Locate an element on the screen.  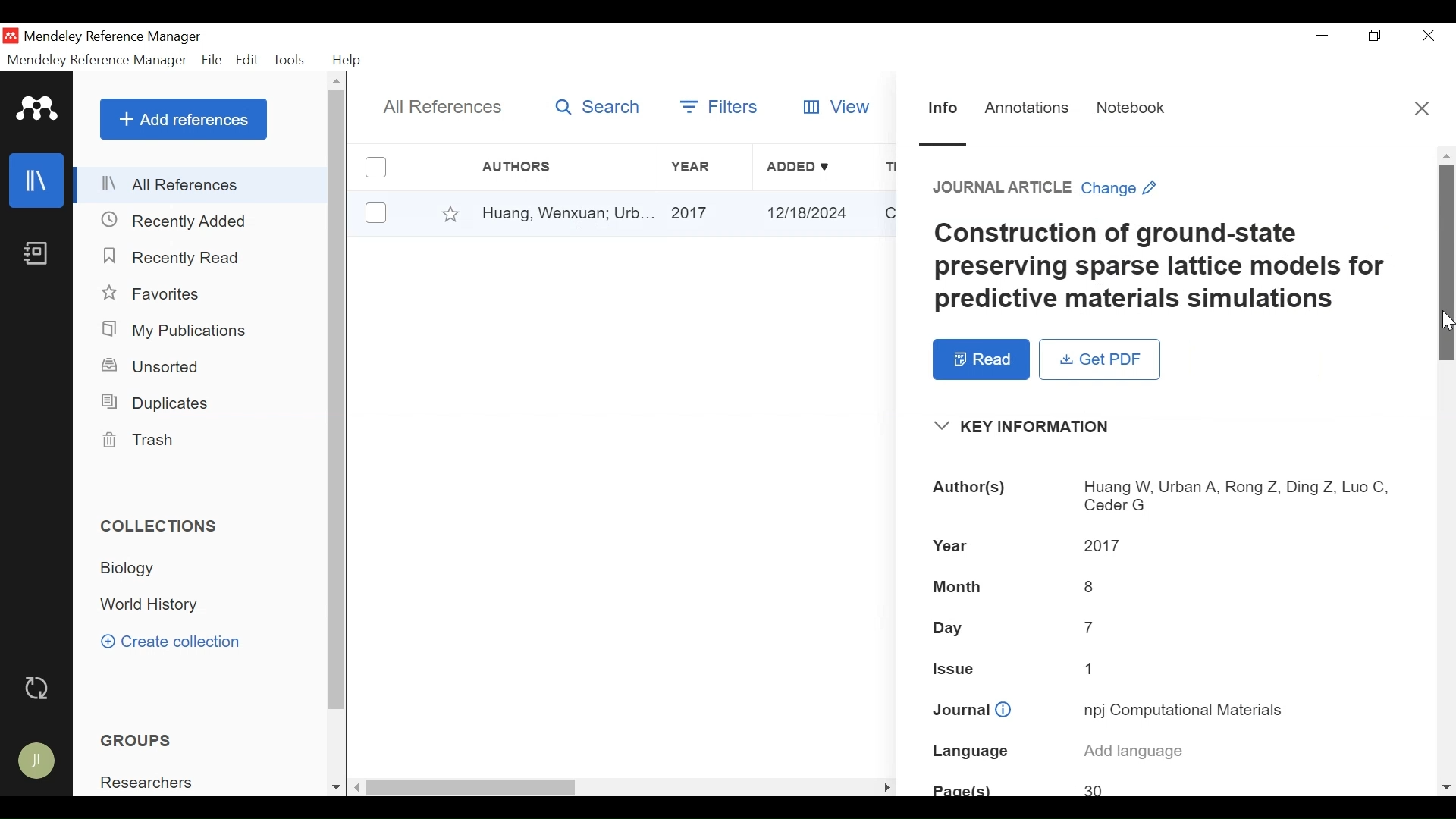
Close is located at coordinates (1420, 107).